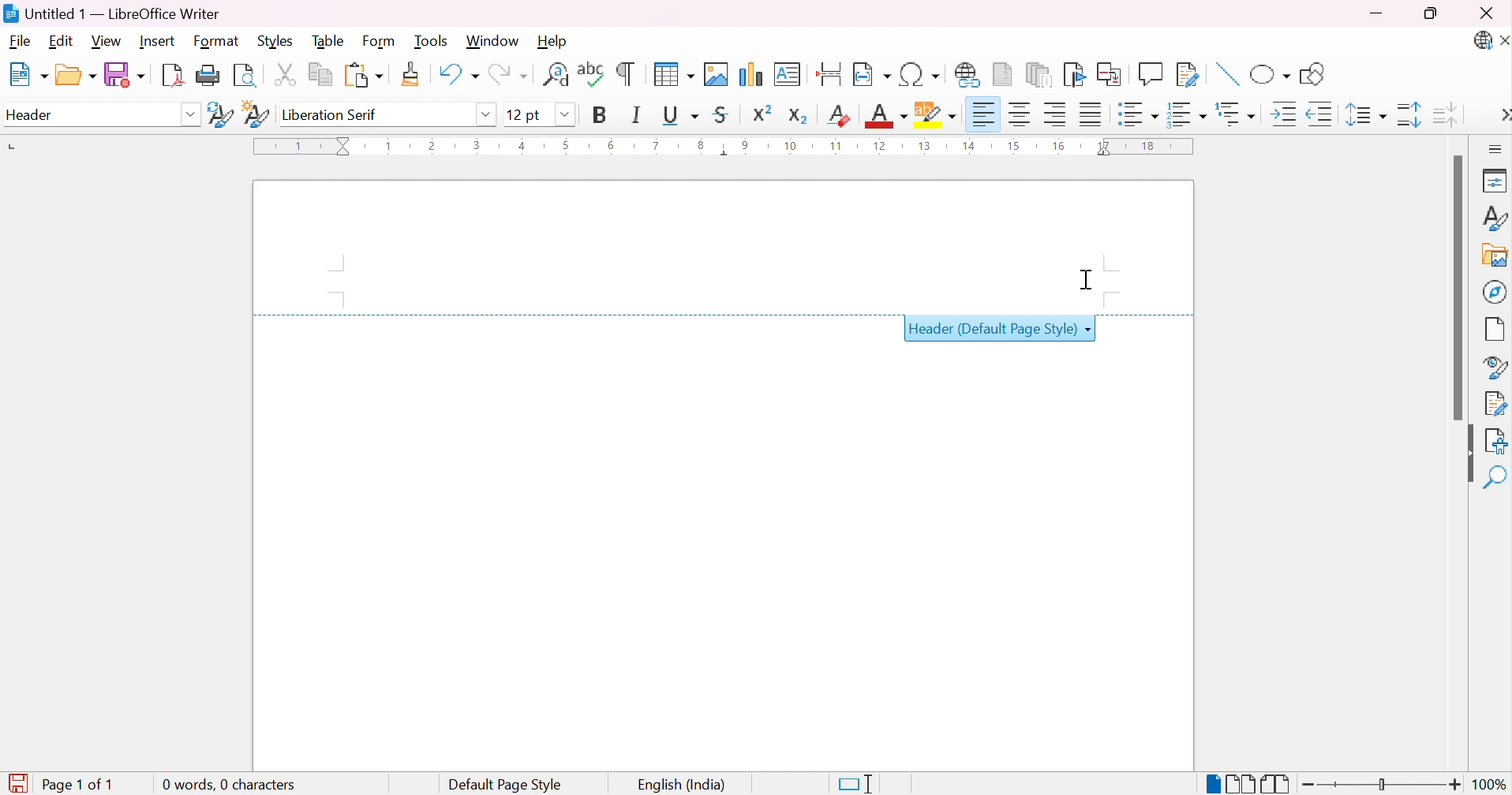 This screenshot has width=1512, height=795. I want to click on Insert text box, so click(788, 74).